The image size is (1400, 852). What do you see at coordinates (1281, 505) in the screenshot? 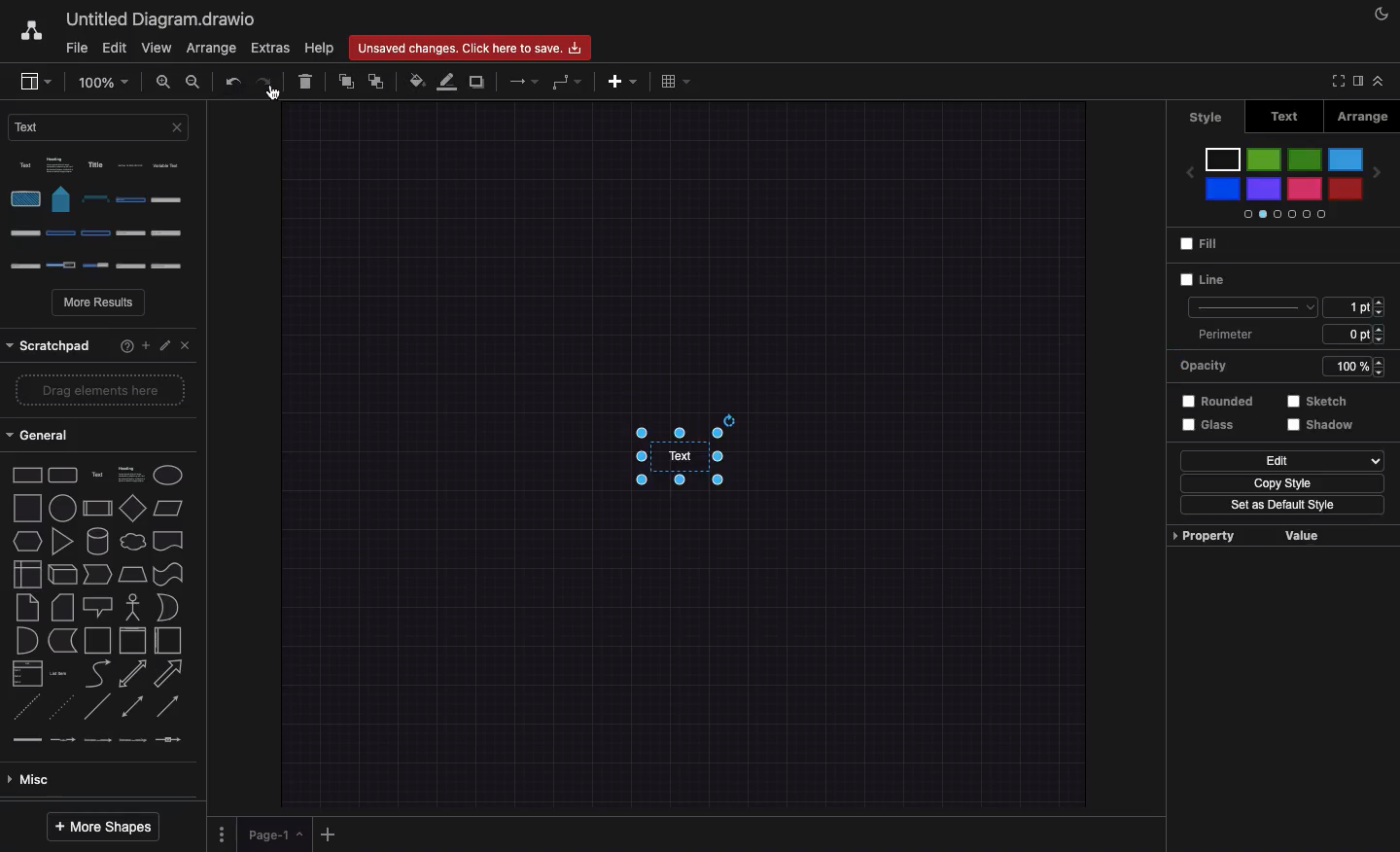
I see `Set as default style` at bounding box center [1281, 505].